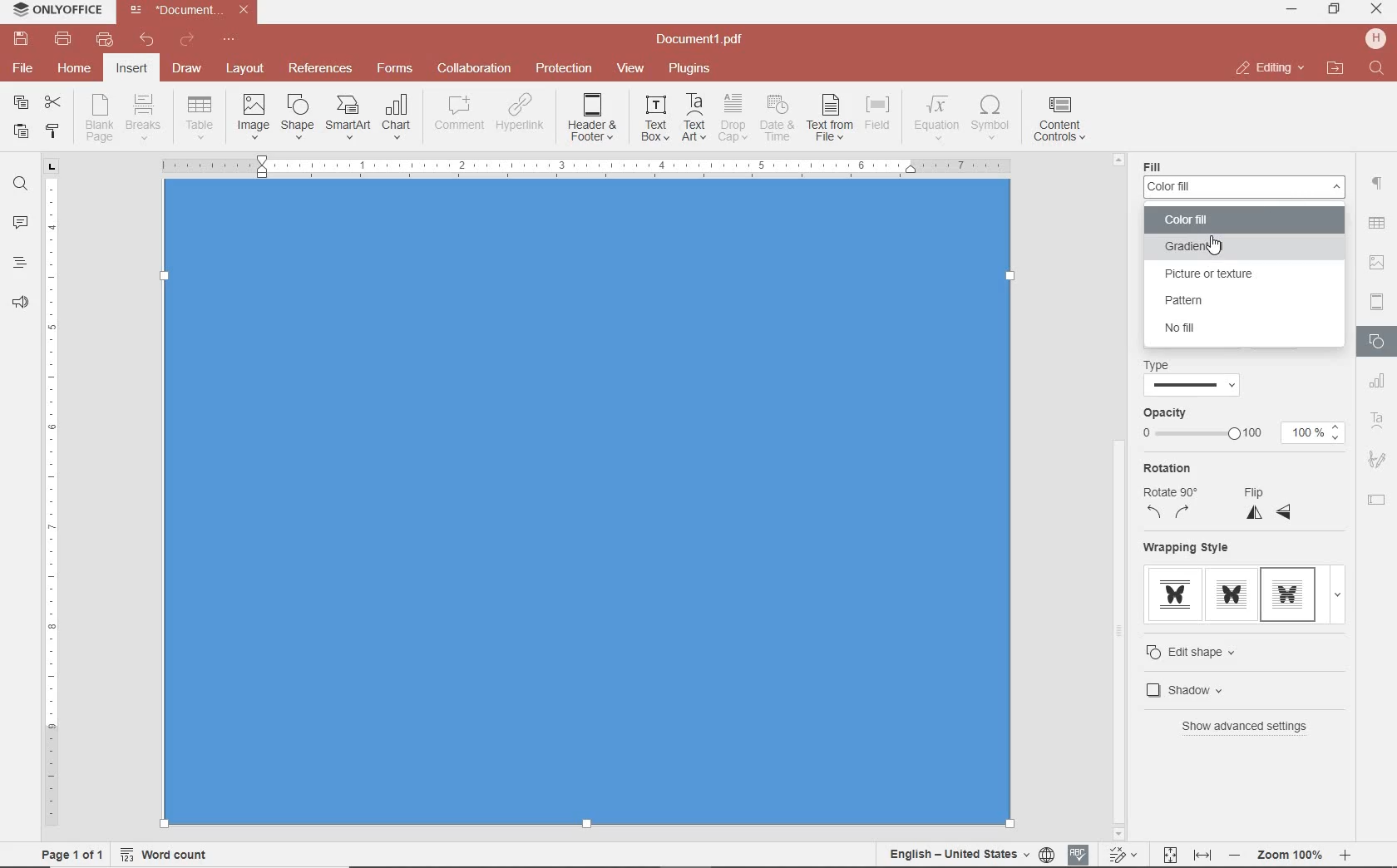 This screenshot has height=868, width=1397. I want to click on word count, so click(170, 855).